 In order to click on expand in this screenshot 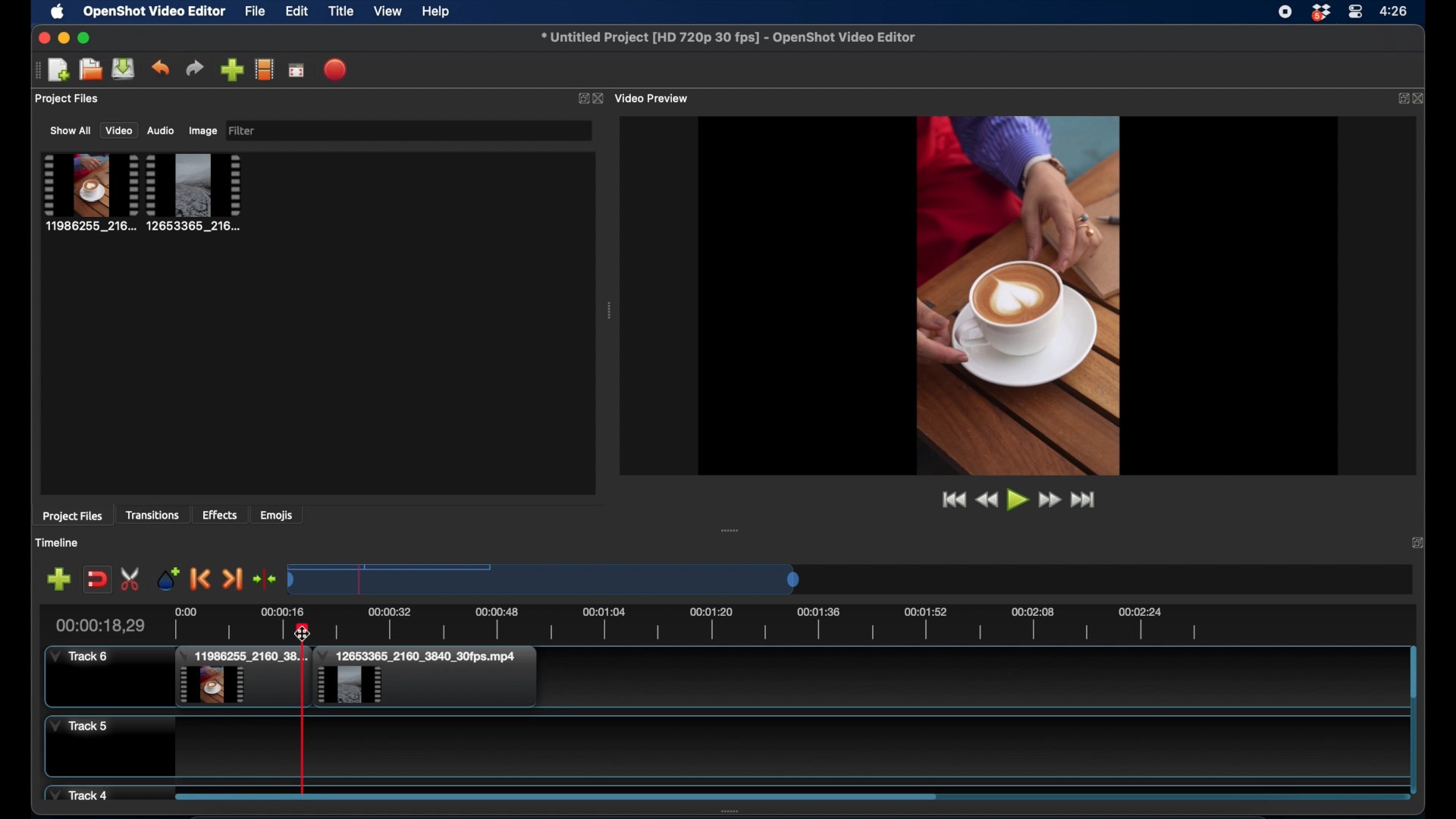, I will do `click(1418, 544)`.